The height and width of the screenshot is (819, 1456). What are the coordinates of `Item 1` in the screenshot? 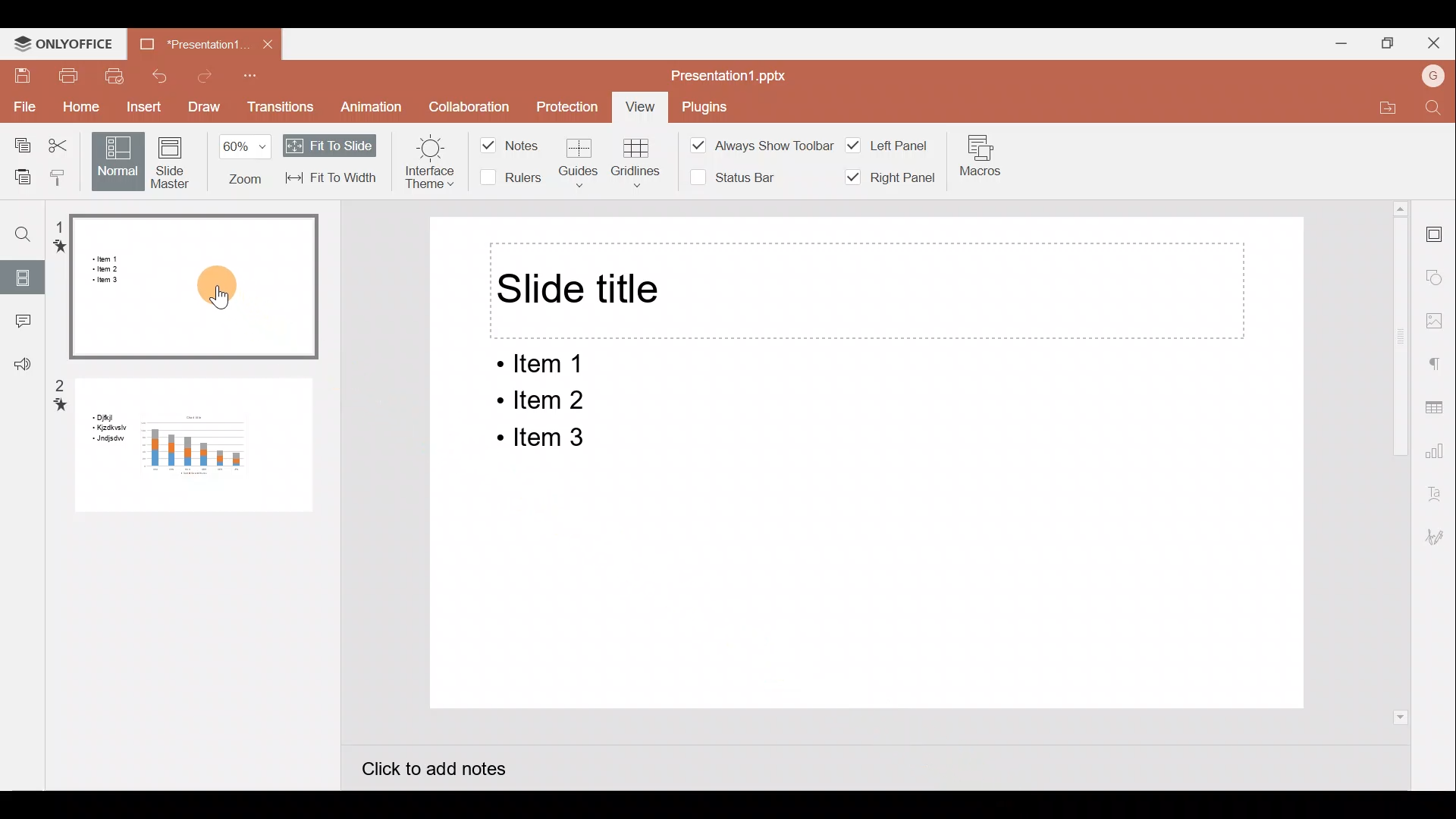 It's located at (547, 366).